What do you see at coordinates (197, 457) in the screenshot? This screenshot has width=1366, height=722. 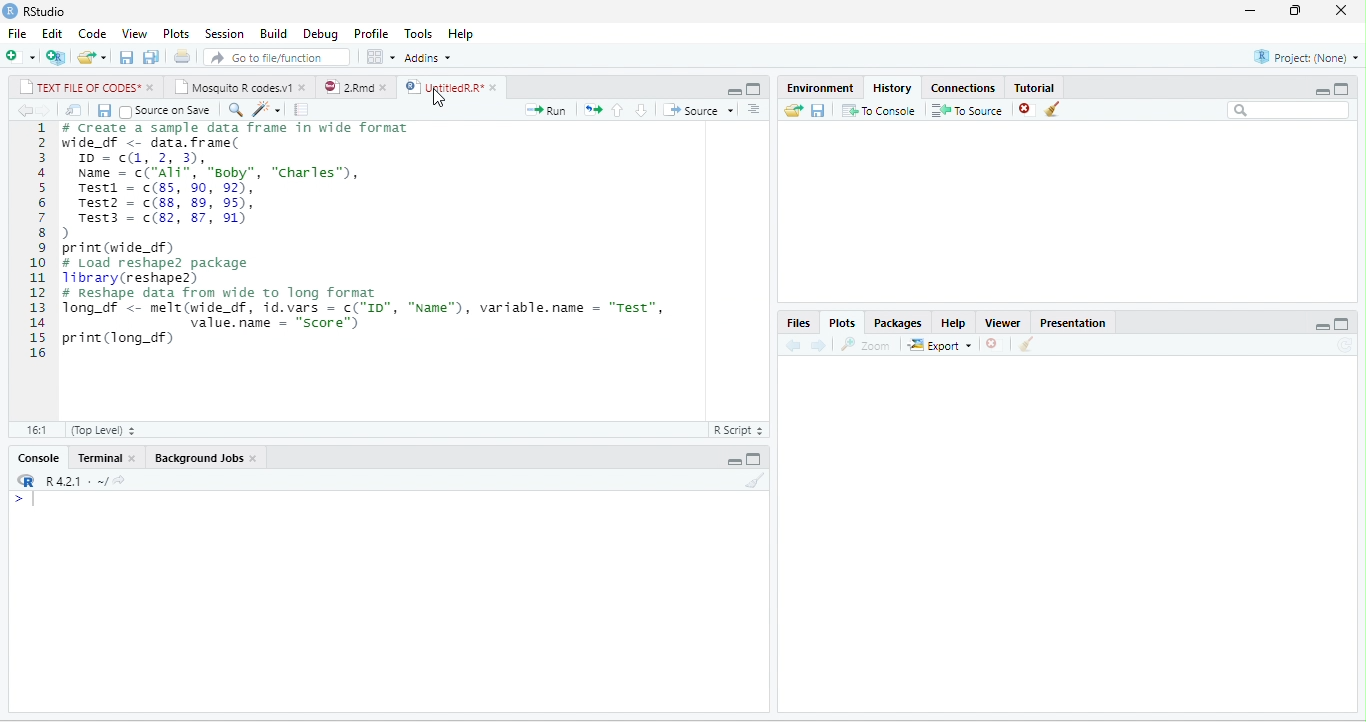 I see `Background Jobs` at bounding box center [197, 457].